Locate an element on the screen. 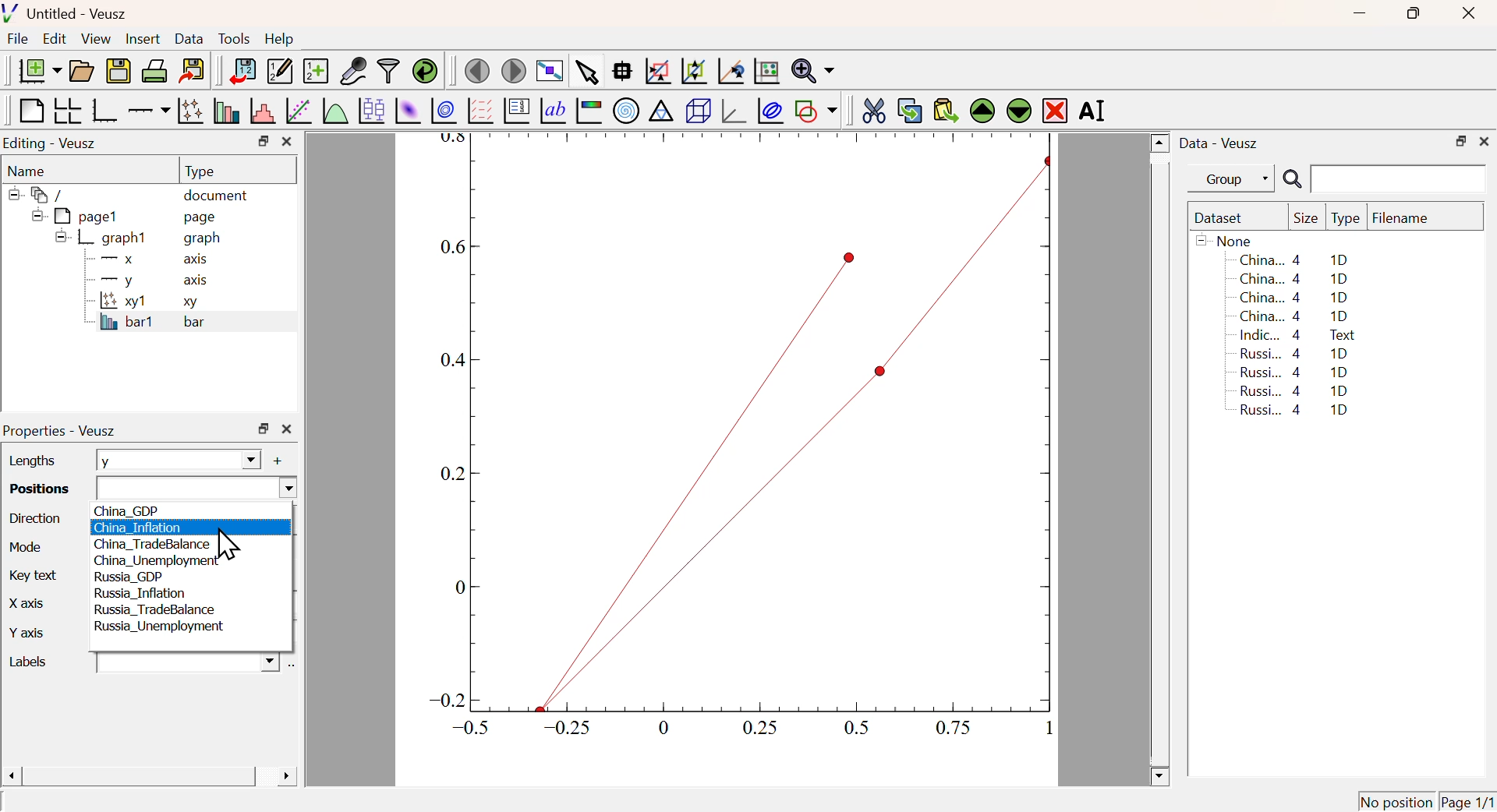  Click to Reset Graph axis is located at coordinates (766, 69).